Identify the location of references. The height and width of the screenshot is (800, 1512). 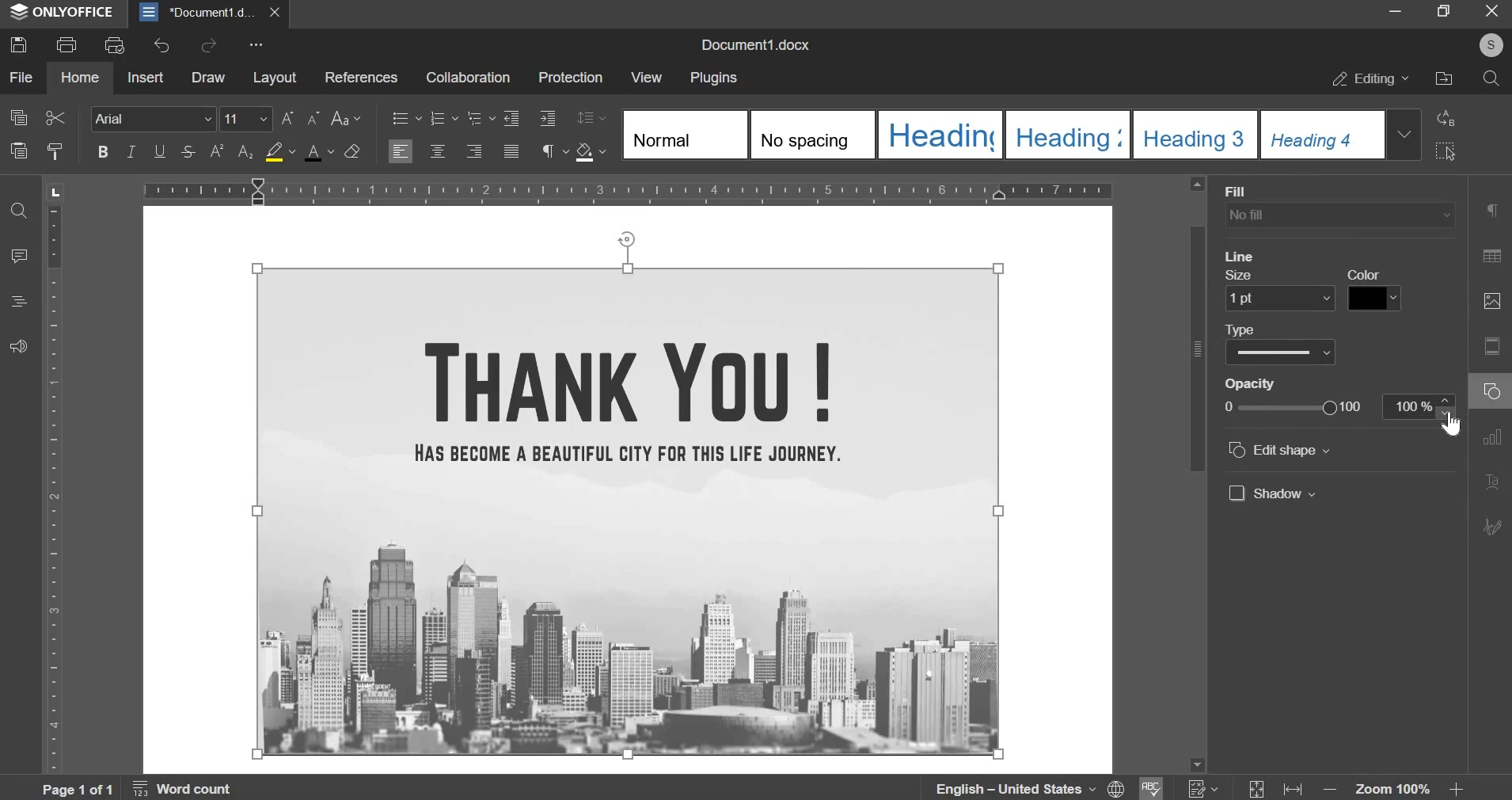
(360, 77).